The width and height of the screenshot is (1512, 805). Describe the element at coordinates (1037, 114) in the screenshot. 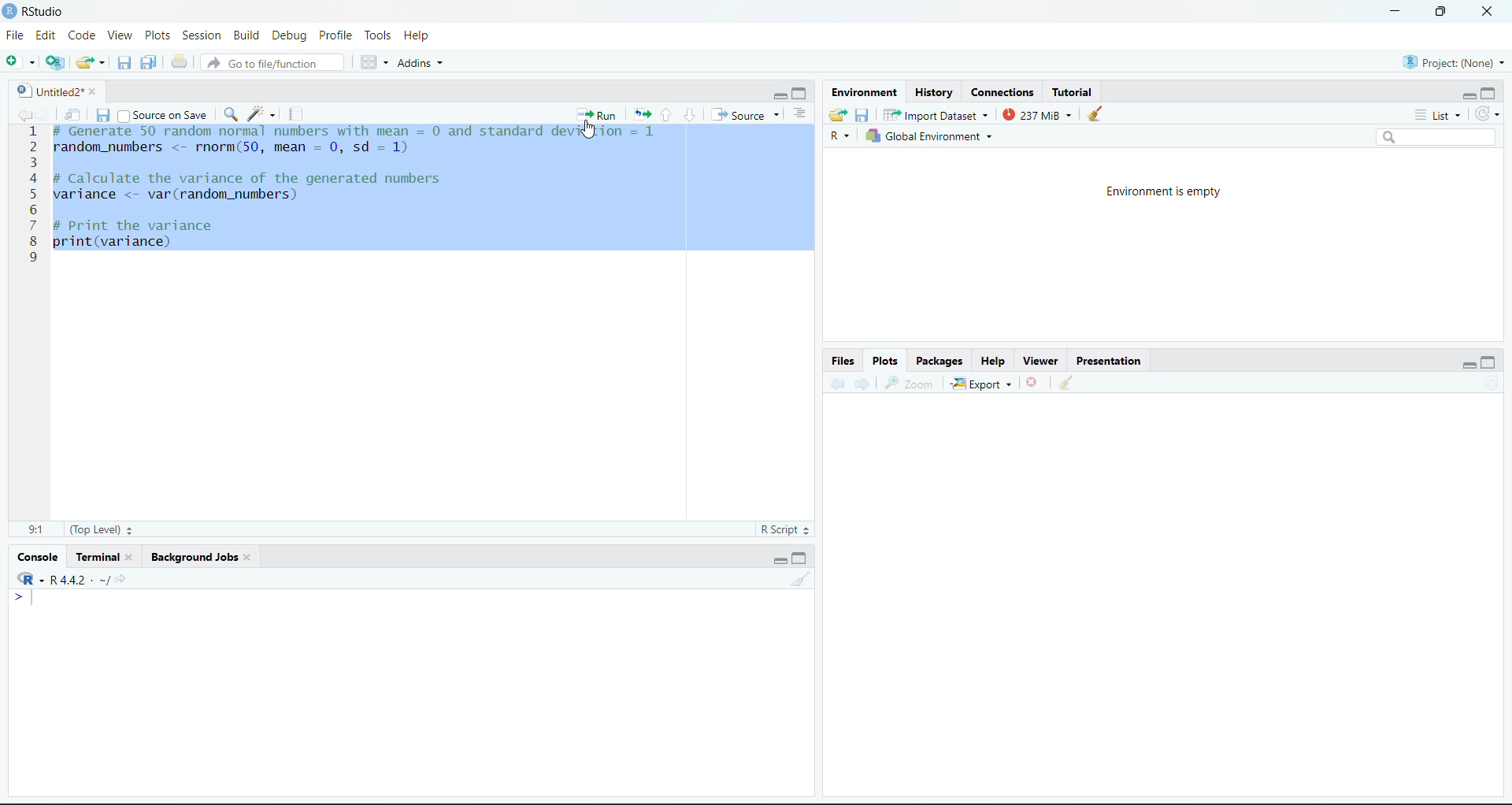

I see `238 Mib` at that location.